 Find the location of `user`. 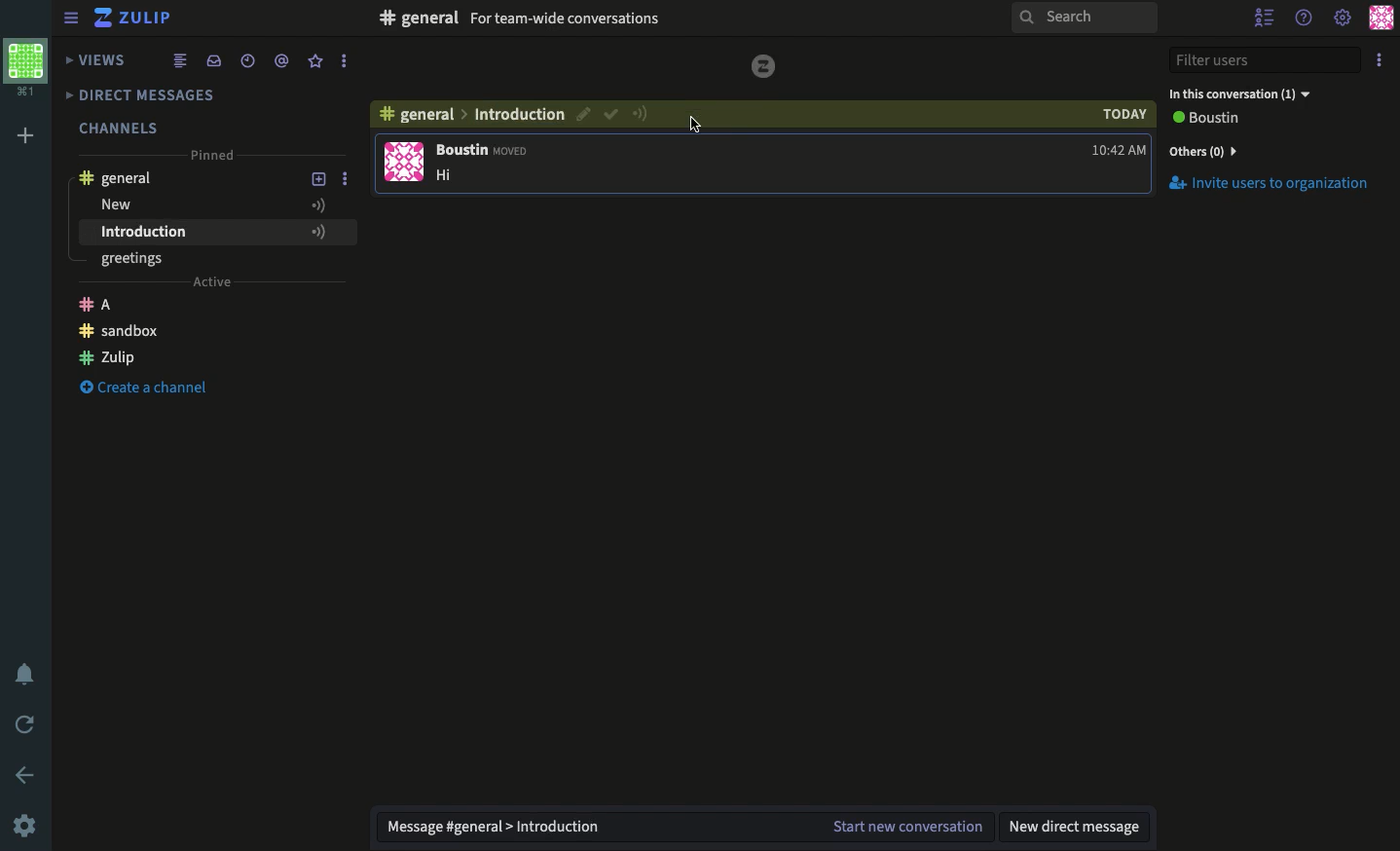

user is located at coordinates (484, 152).